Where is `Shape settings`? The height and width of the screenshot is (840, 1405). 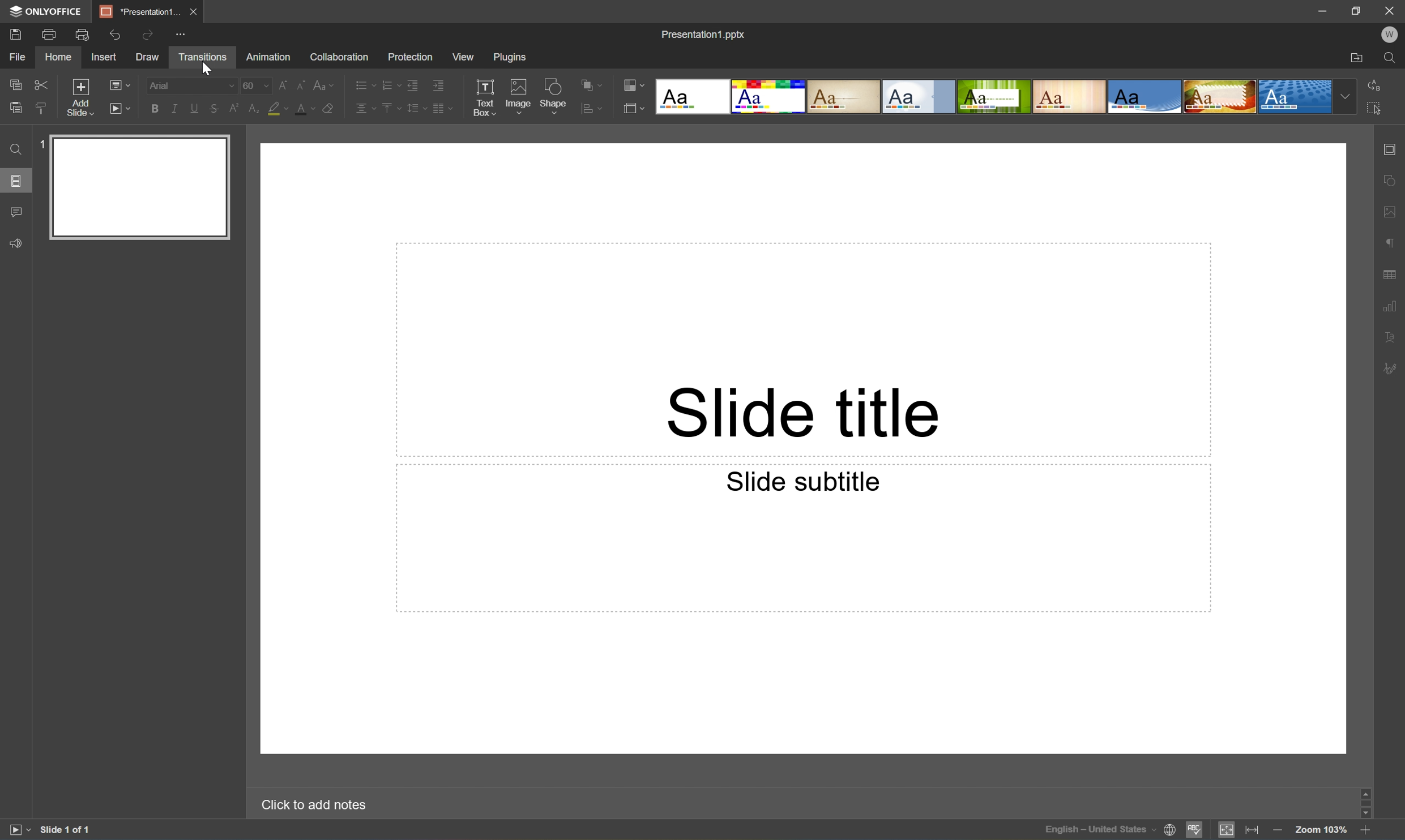 Shape settings is located at coordinates (1392, 179).